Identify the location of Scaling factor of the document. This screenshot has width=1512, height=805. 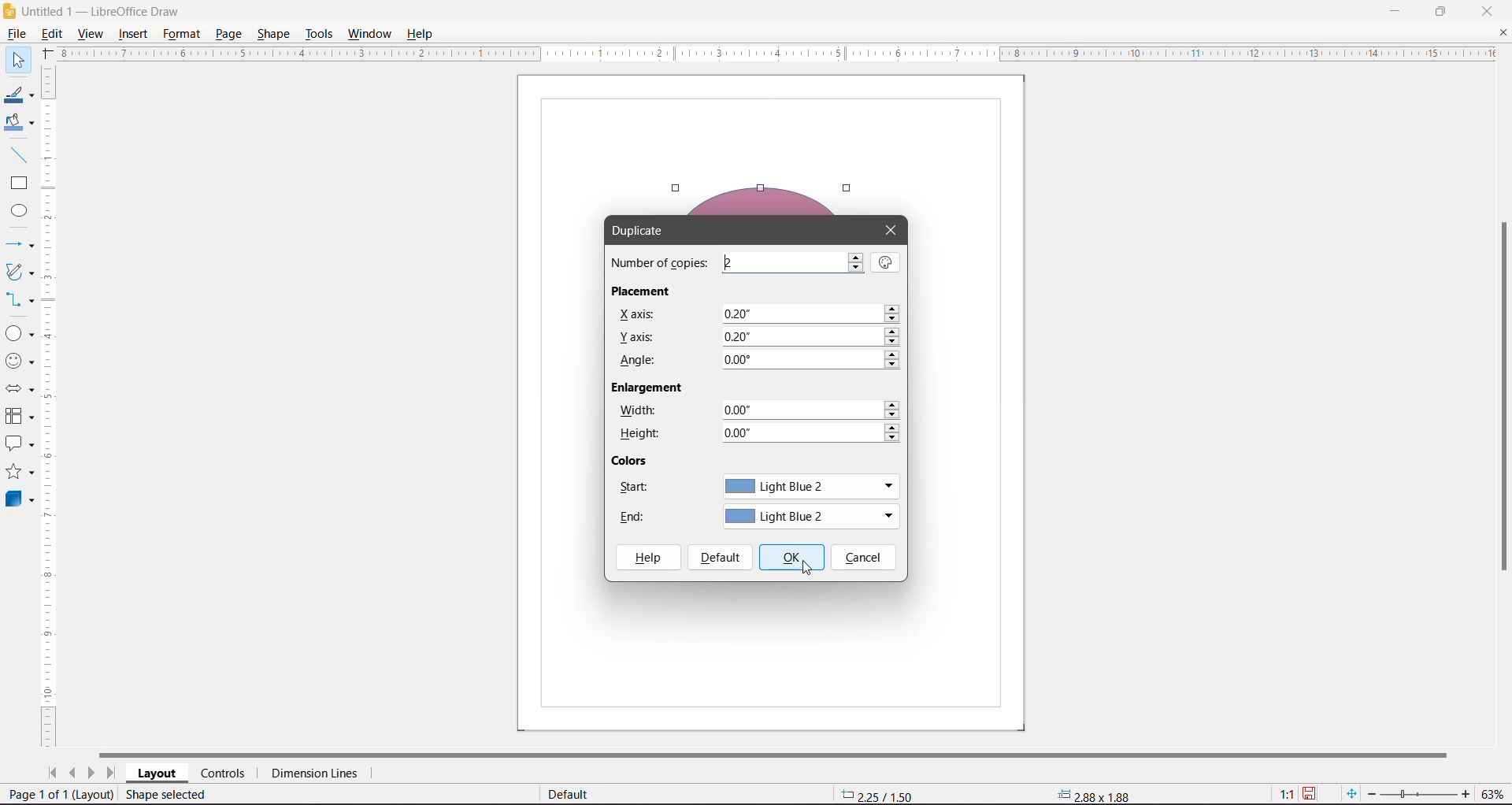
(1287, 795).